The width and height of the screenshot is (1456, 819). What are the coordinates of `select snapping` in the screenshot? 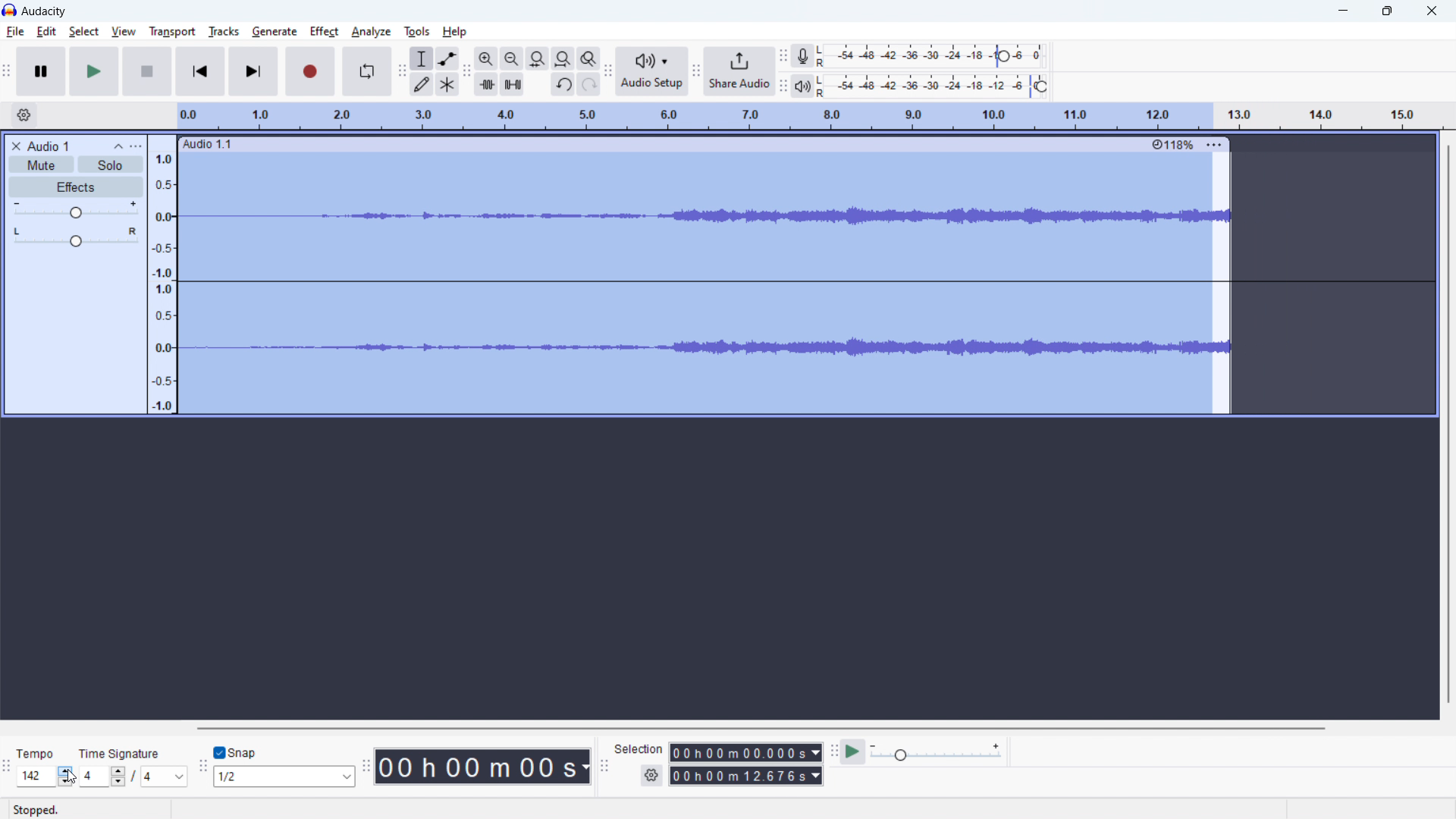 It's located at (285, 776).